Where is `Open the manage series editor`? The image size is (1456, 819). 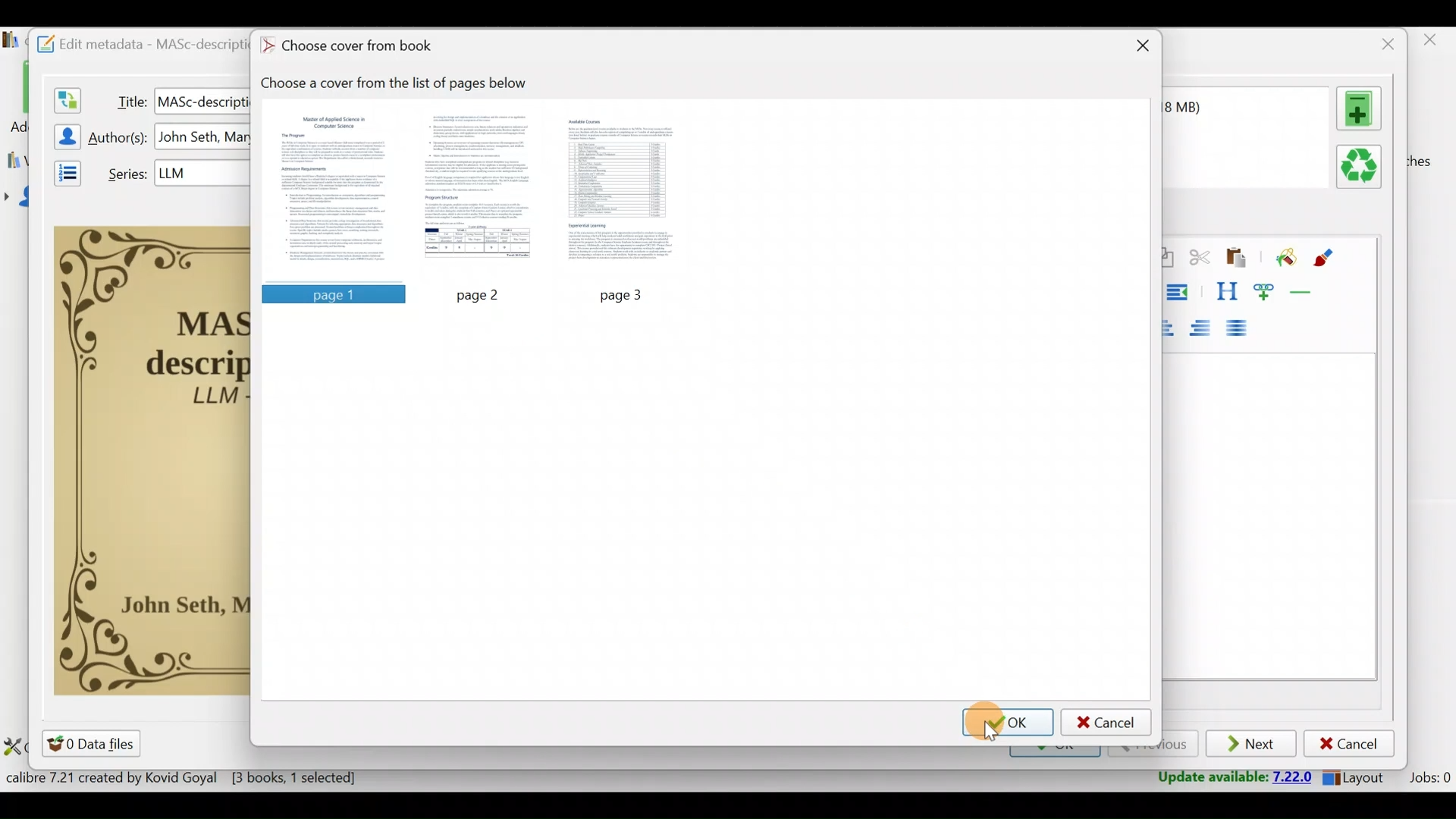 Open the manage series editor is located at coordinates (63, 171).